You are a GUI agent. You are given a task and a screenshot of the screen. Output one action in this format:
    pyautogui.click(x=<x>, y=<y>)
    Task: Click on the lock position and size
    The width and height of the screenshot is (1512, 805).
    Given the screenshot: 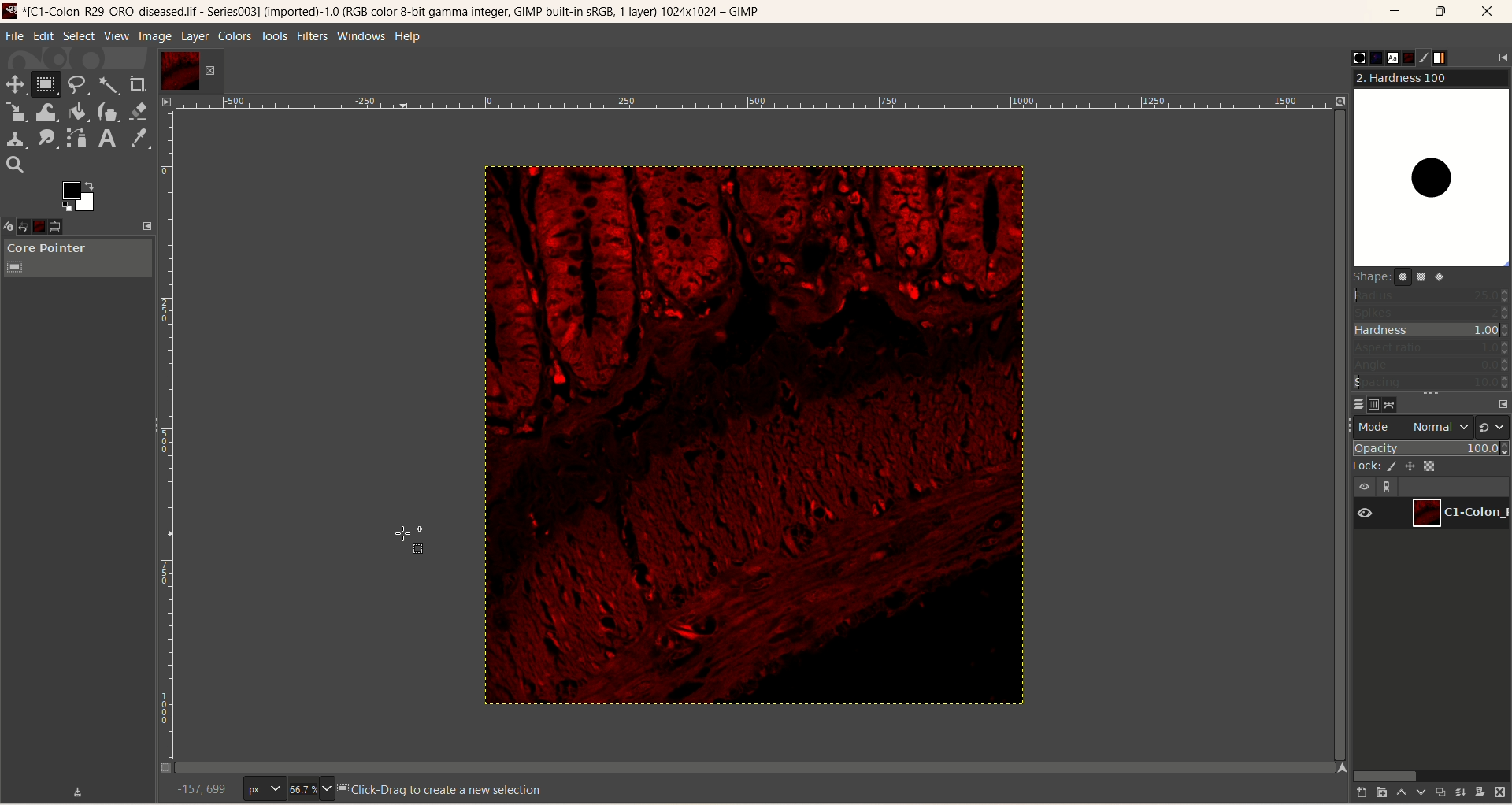 What is the action you would take?
    pyautogui.click(x=1416, y=465)
    